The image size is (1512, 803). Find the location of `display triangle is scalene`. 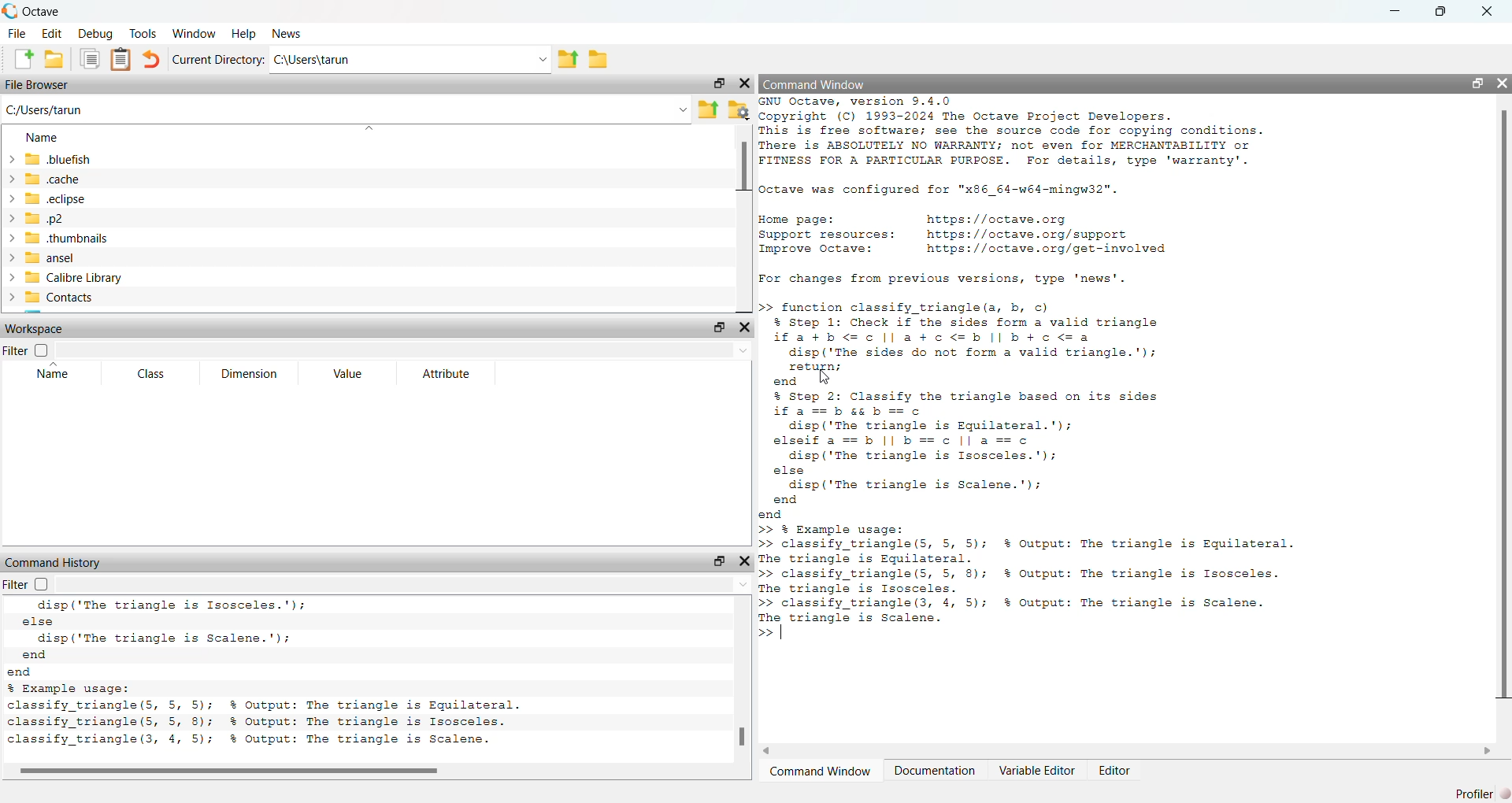

display triangle is scalene is located at coordinates (183, 638).